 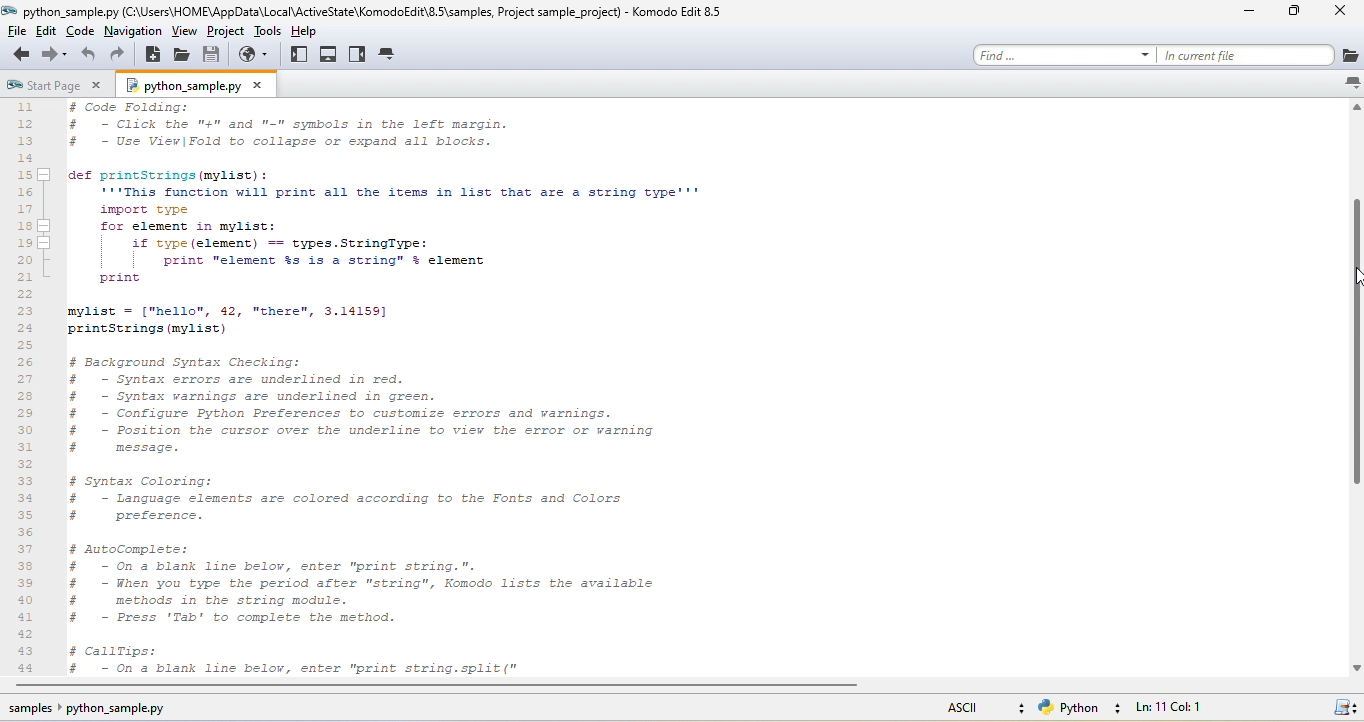 I want to click on python sample, so click(x=208, y=86).